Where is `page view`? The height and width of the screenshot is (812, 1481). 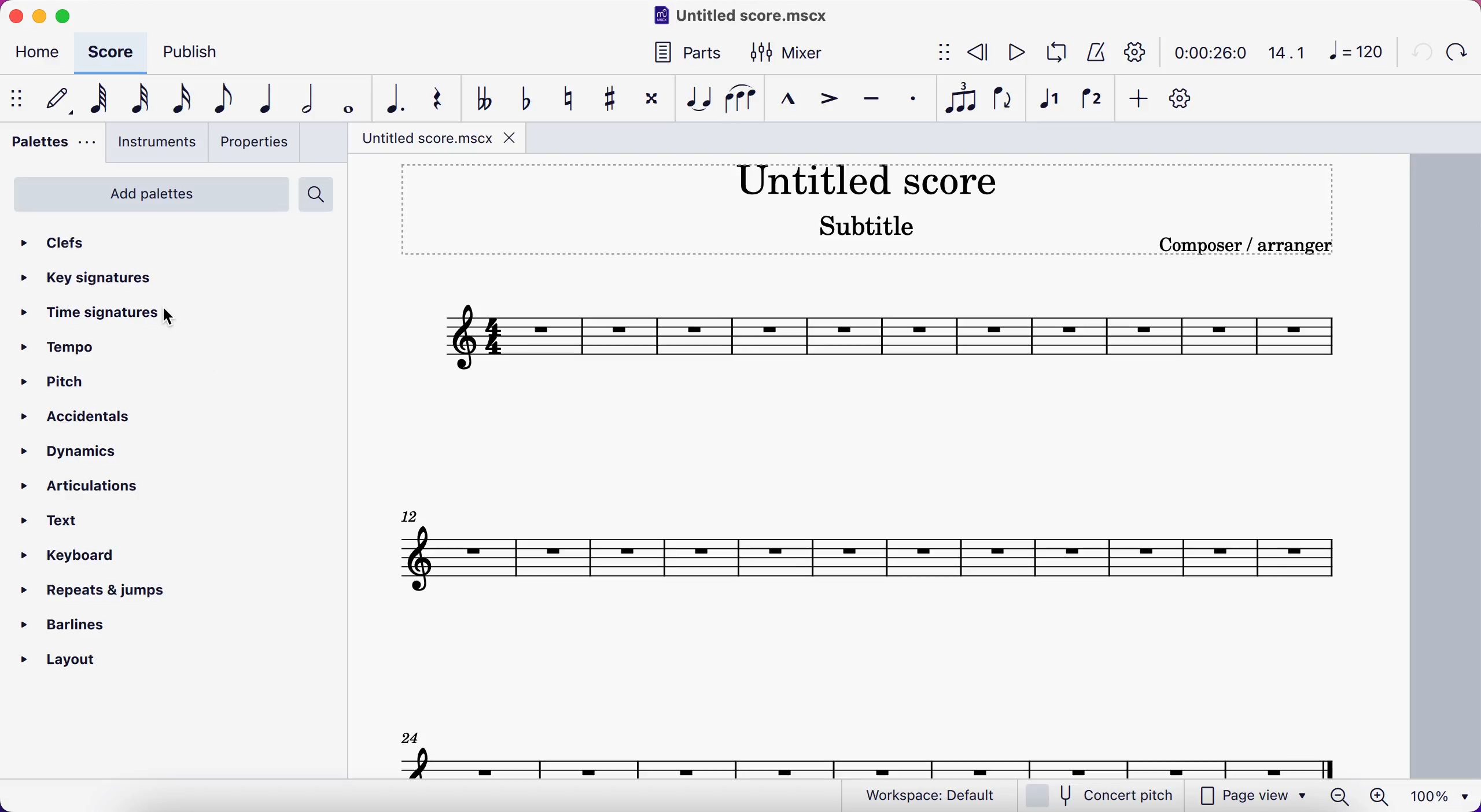
page view is located at coordinates (1213, 795).